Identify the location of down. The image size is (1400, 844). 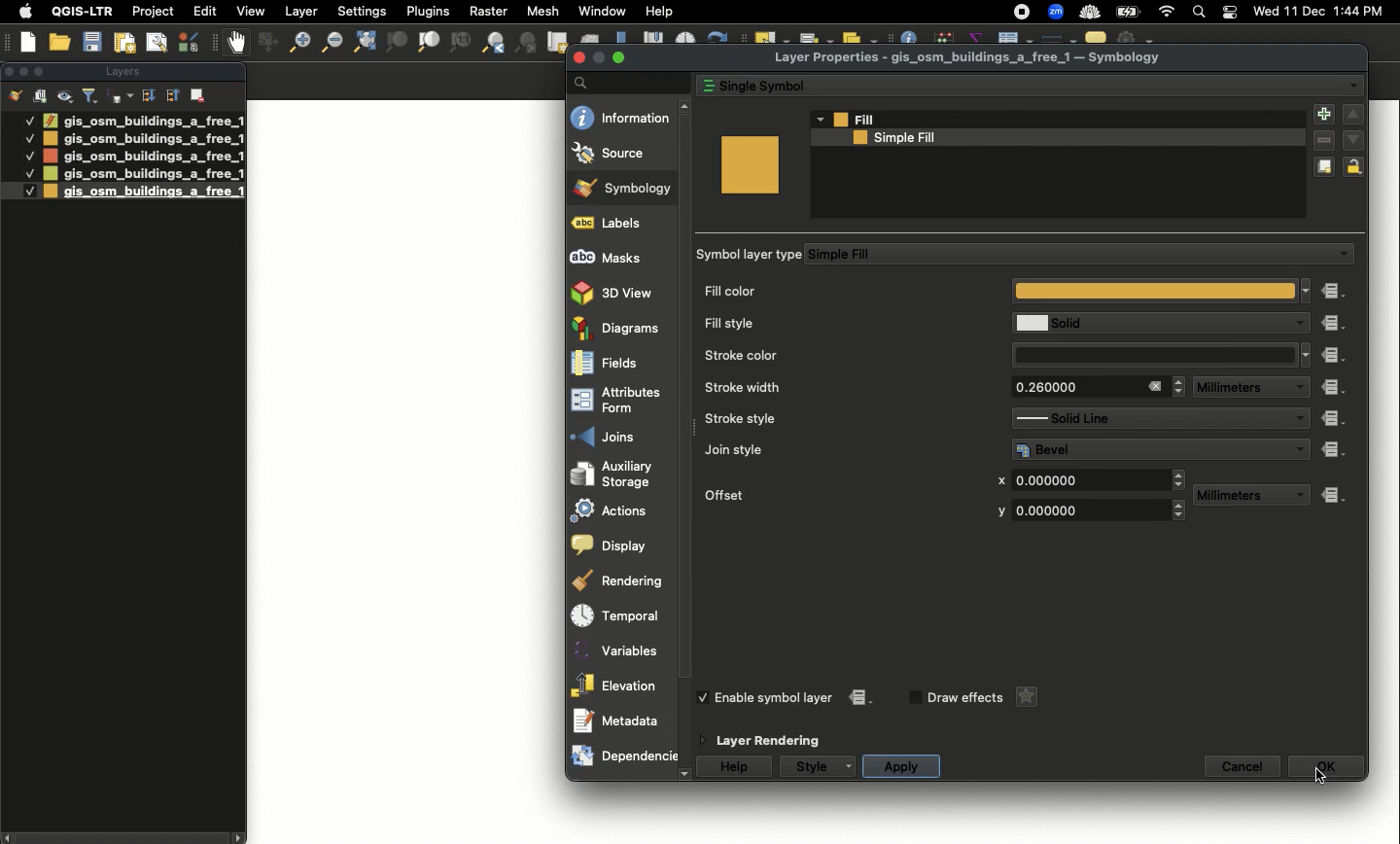
(1353, 139).